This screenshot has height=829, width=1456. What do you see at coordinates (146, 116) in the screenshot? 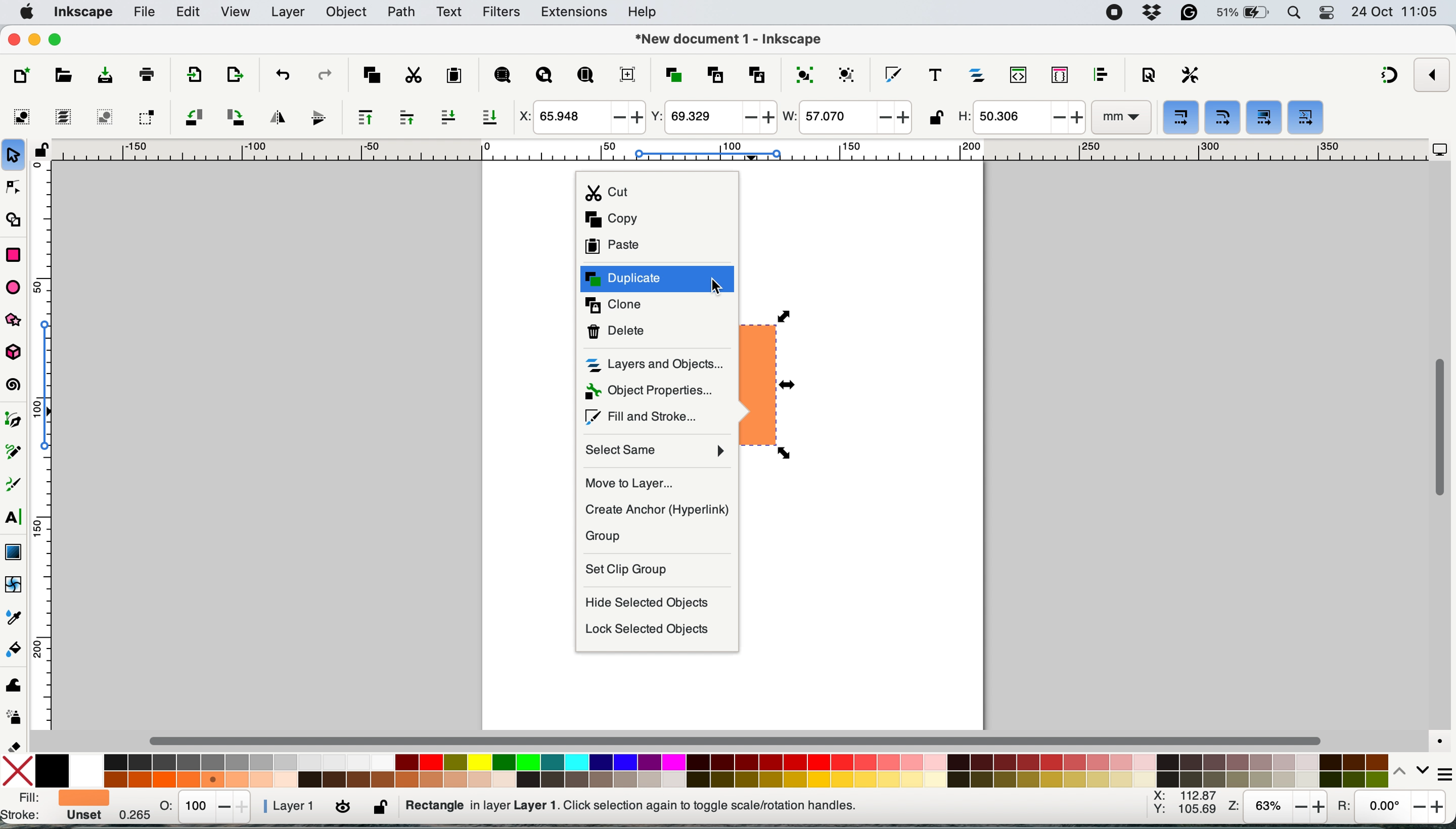
I see `toggle selection box` at bounding box center [146, 116].